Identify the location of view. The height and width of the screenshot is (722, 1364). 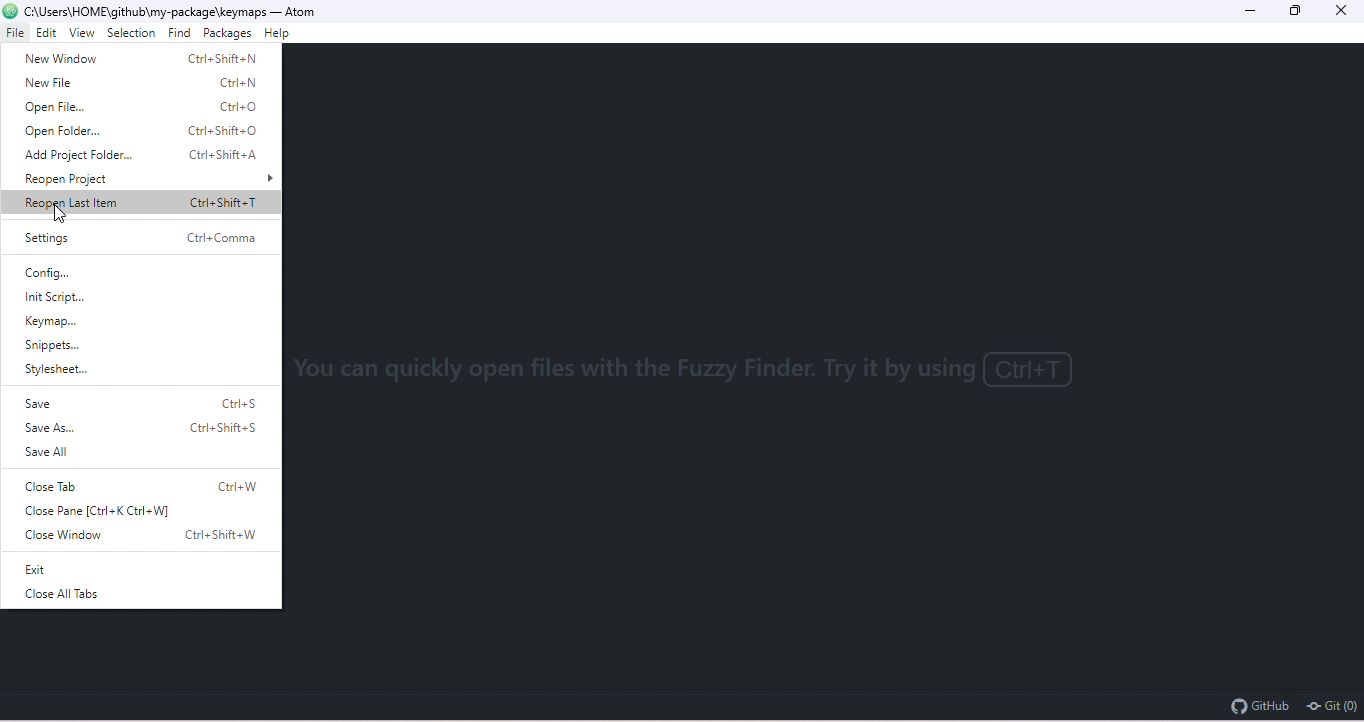
(84, 32).